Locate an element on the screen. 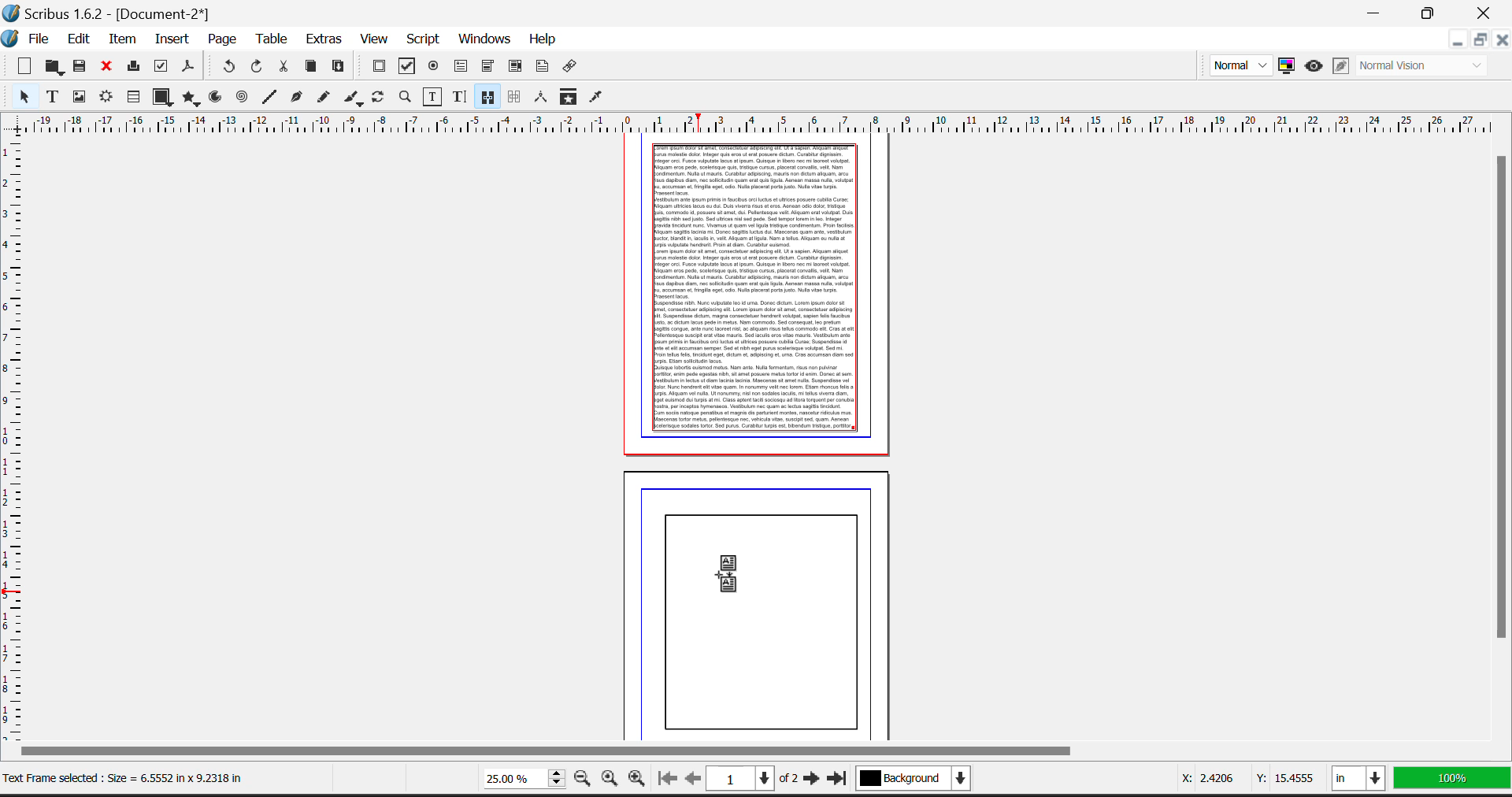 The image size is (1512, 797). Edit in Preview Mode is located at coordinates (1342, 65).